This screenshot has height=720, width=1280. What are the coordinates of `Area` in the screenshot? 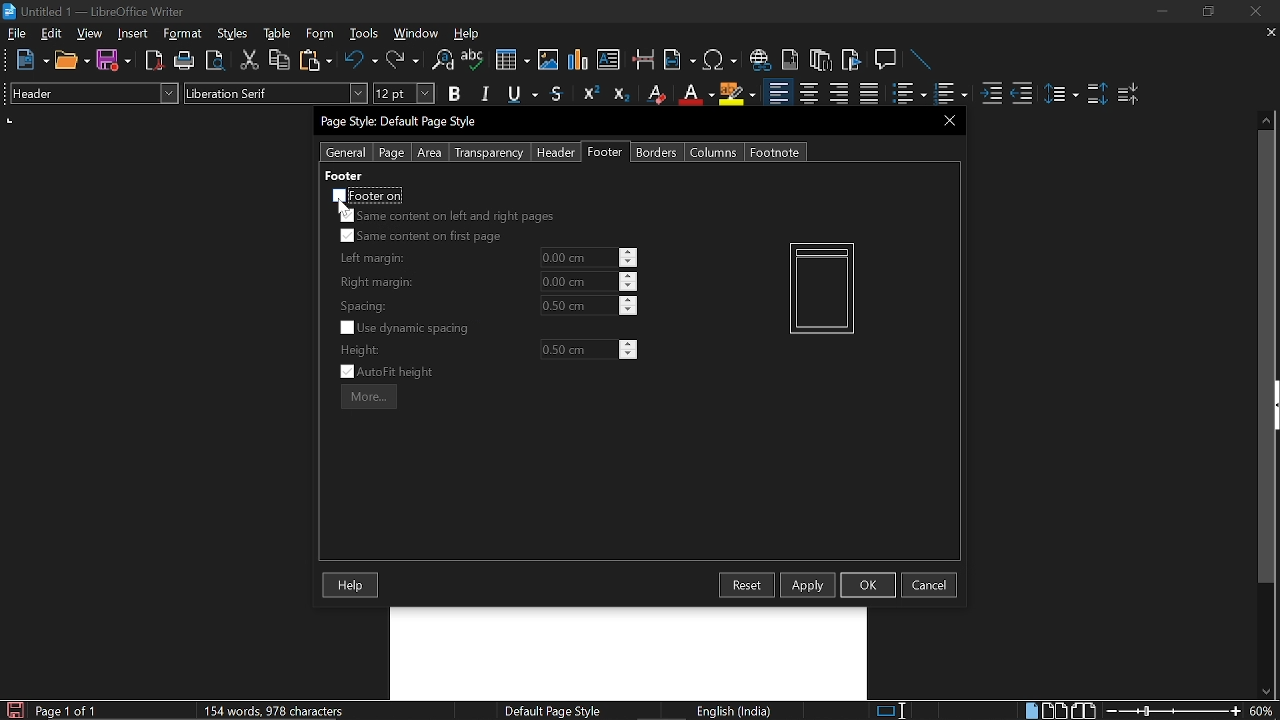 It's located at (430, 153).